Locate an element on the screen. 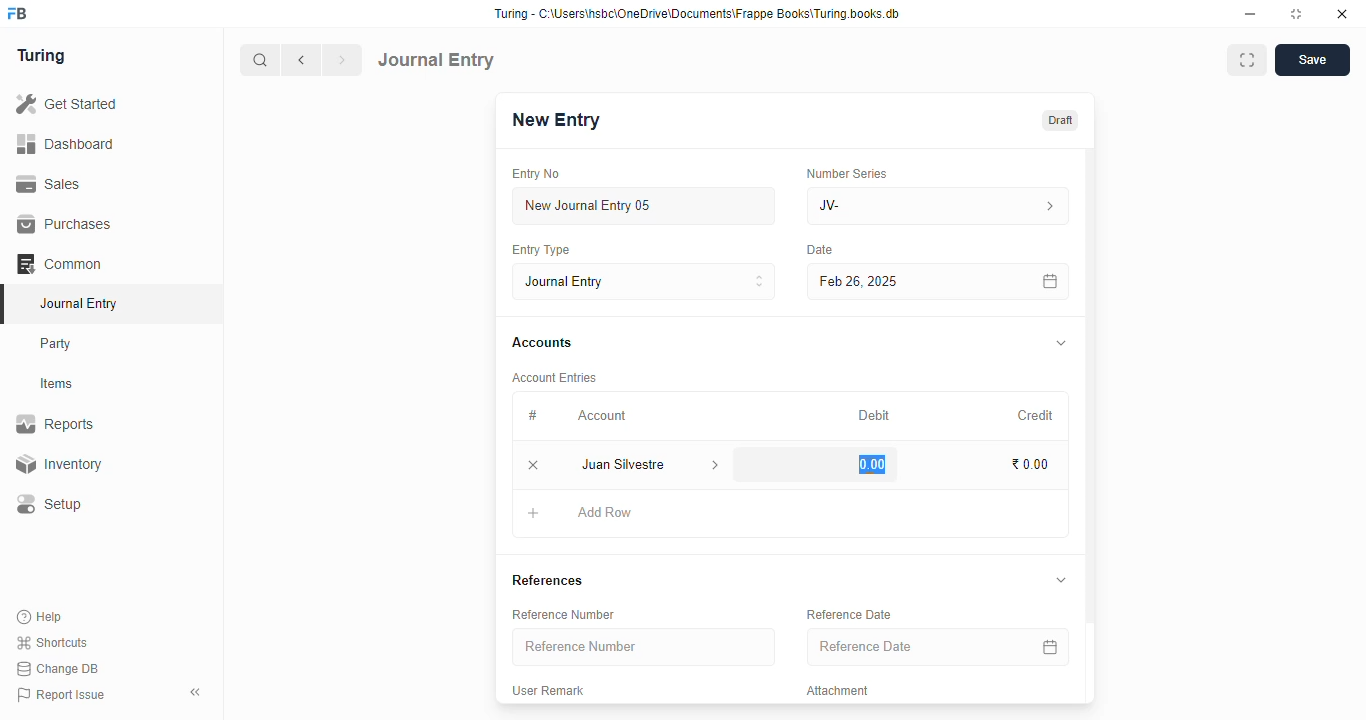  report issue is located at coordinates (61, 695).